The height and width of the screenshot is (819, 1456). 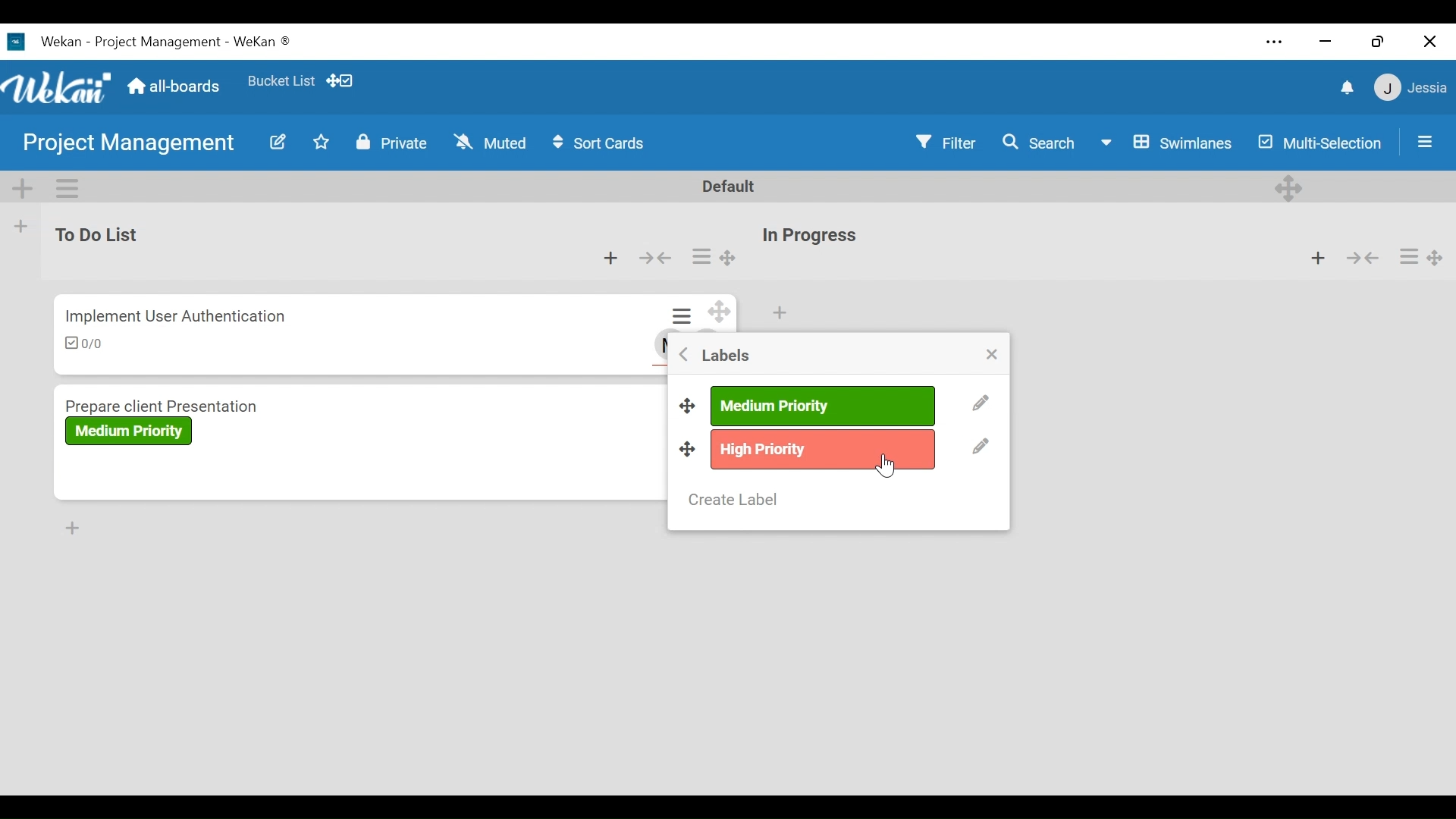 What do you see at coordinates (689, 403) in the screenshot?
I see `Desktop drag handles` at bounding box center [689, 403].